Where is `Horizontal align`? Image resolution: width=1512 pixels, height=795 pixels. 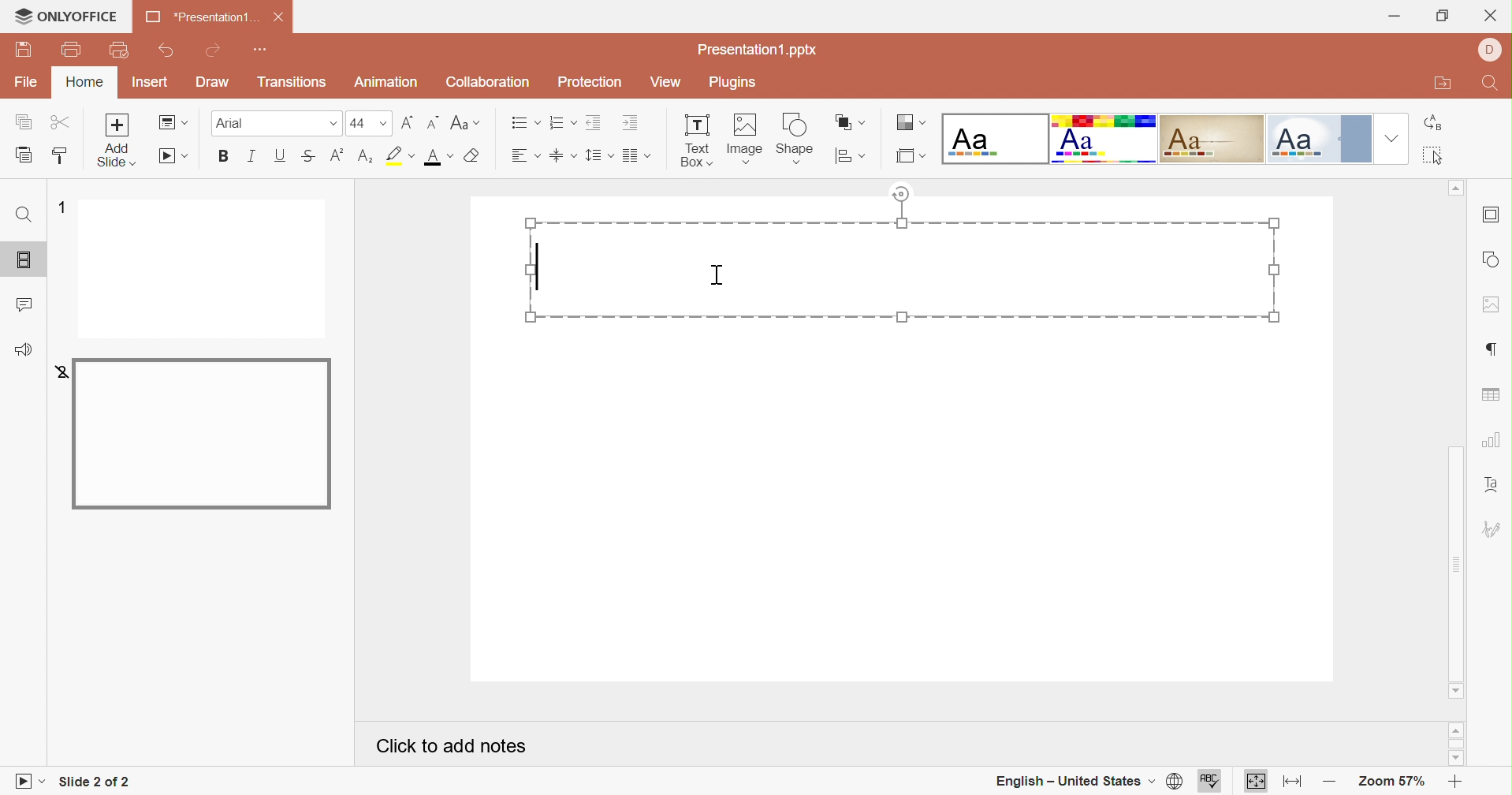
Horizontal align is located at coordinates (527, 155).